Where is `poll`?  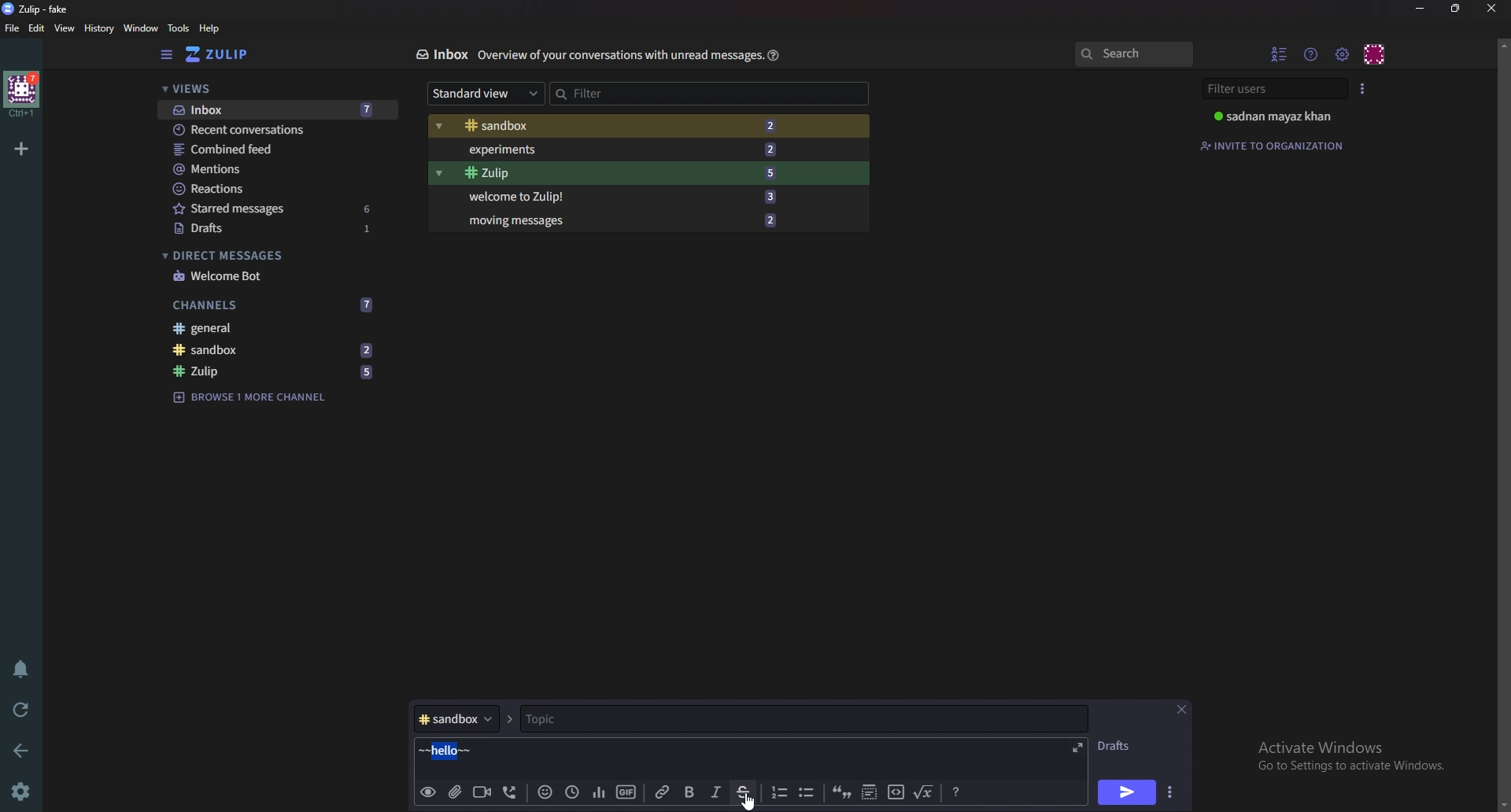 poll is located at coordinates (600, 792).